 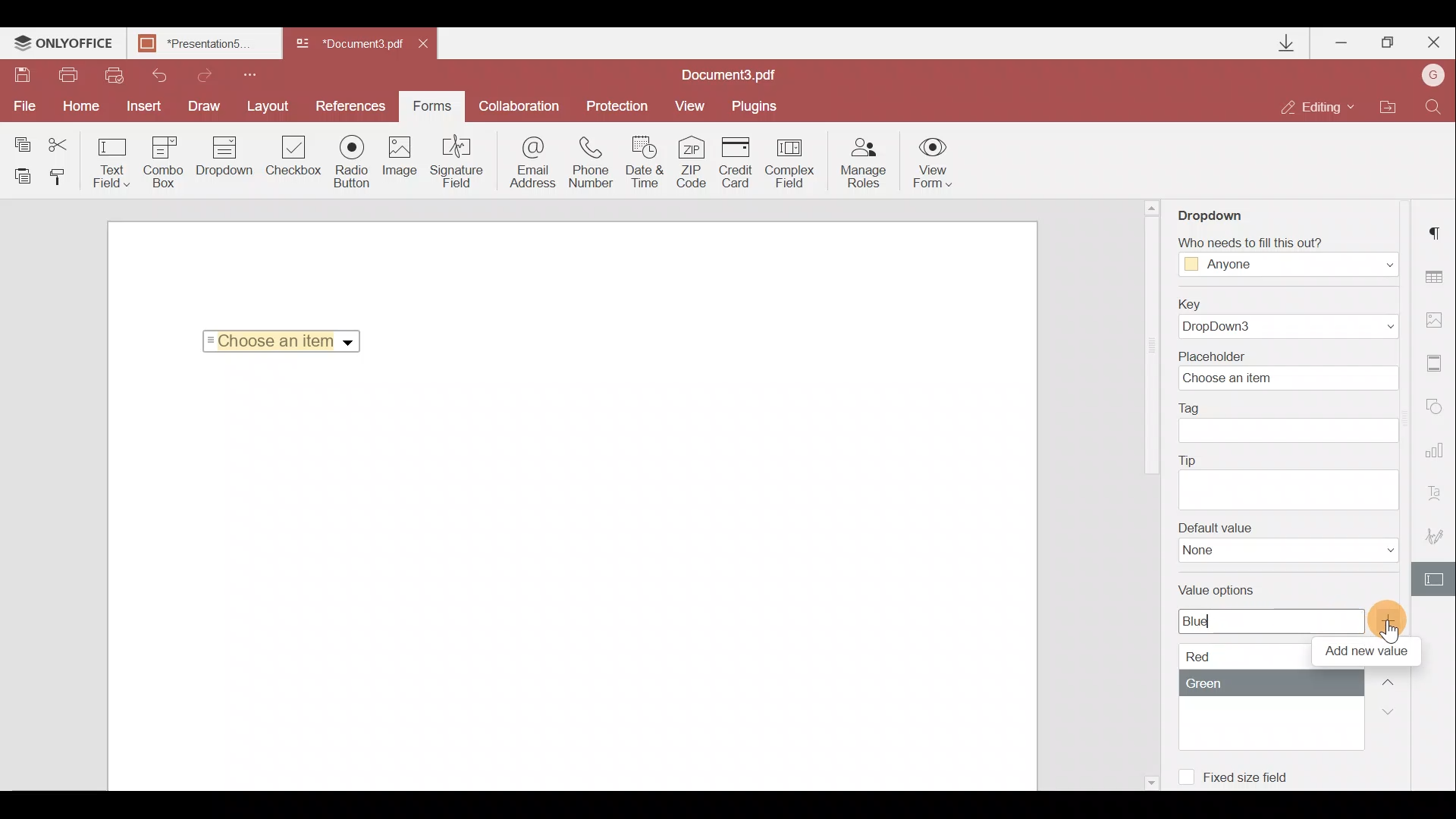 I want to click on Draw, so click(x=208, y=106).